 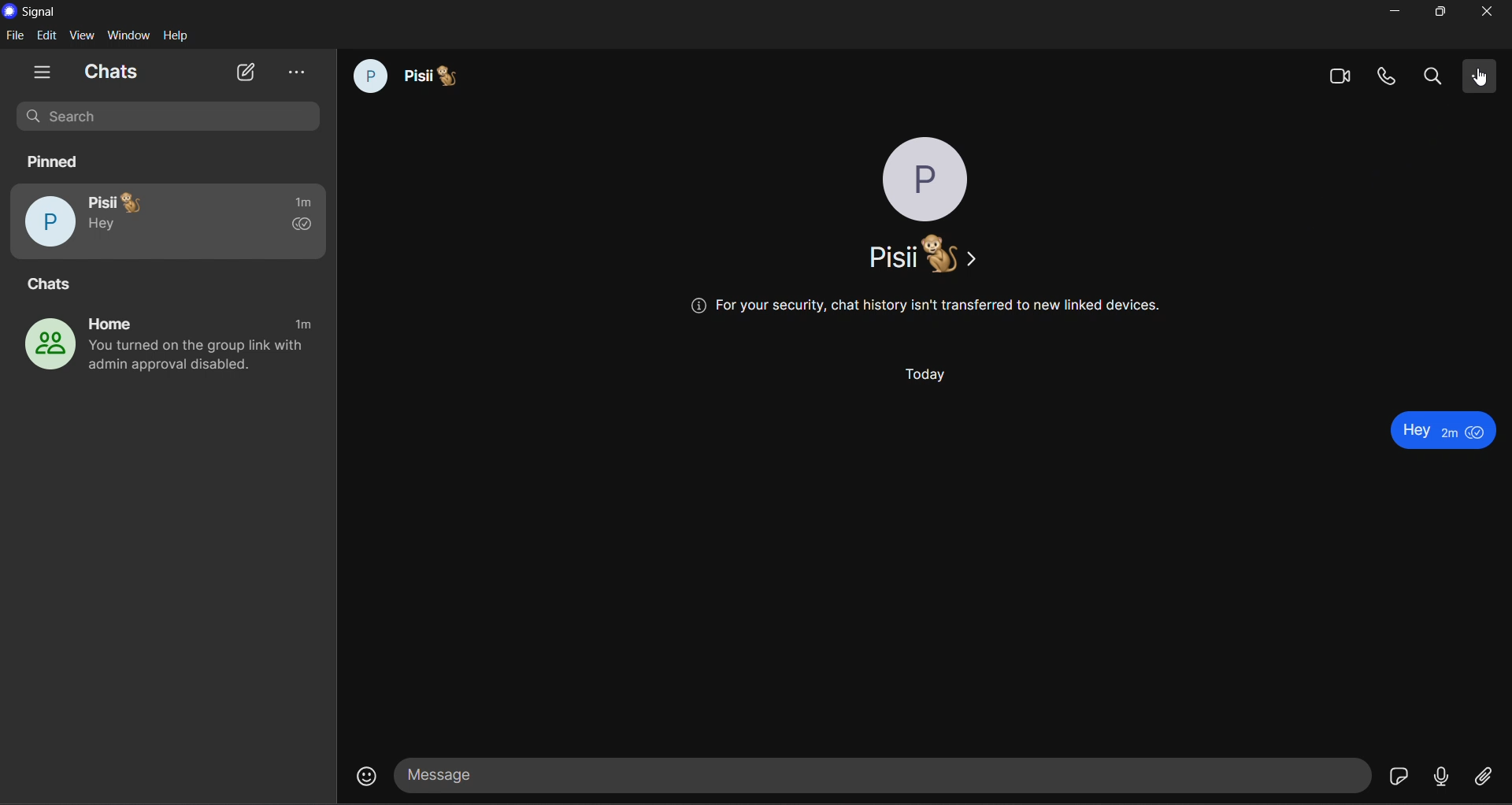 What do you see at coordinates (178, 35) in the screenshot?
I see `help` at bounding box center [178, 35].